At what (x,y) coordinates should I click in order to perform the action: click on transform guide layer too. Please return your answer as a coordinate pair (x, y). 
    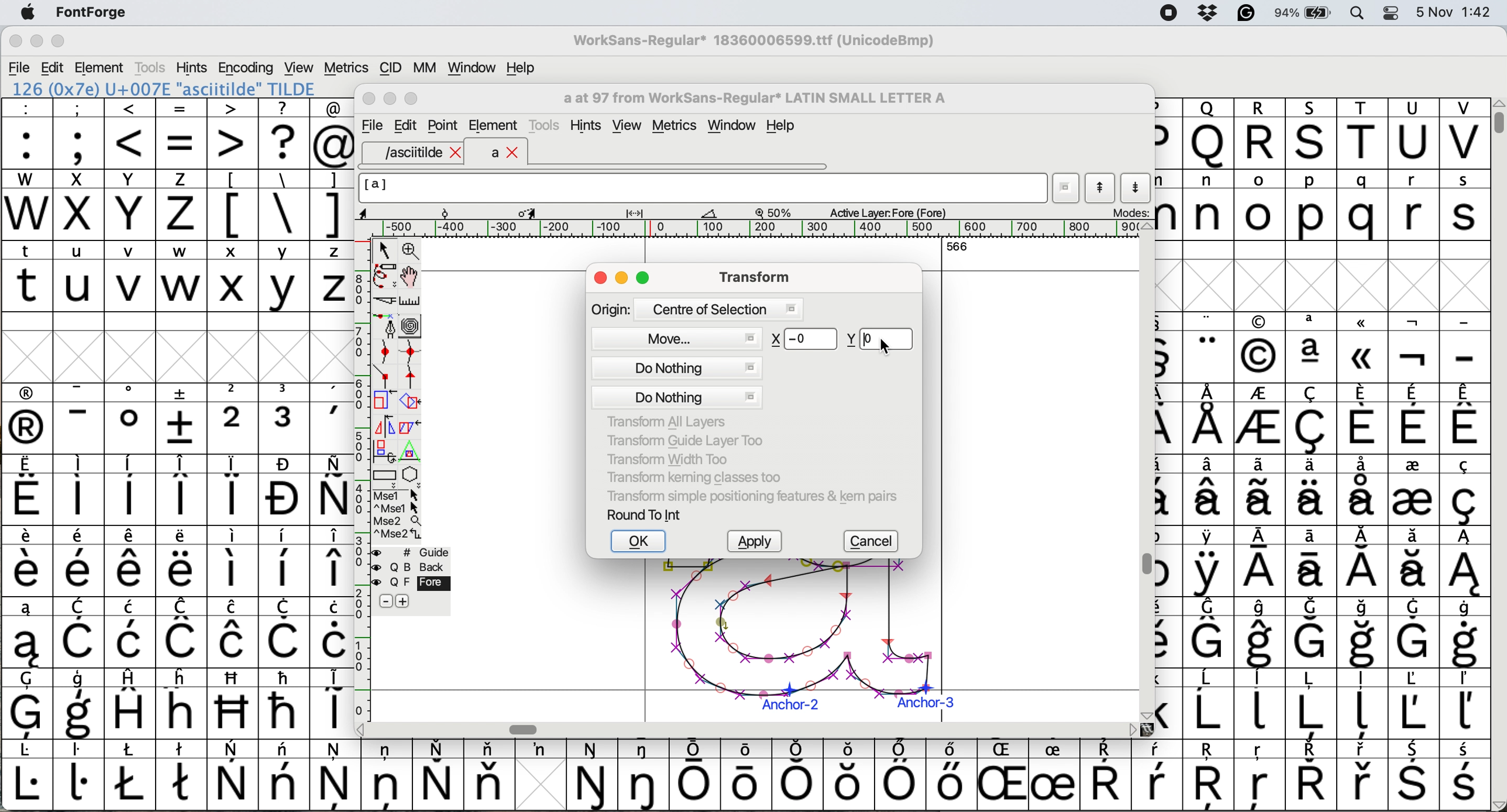
    Looking at the image, I should click on (680, 439).